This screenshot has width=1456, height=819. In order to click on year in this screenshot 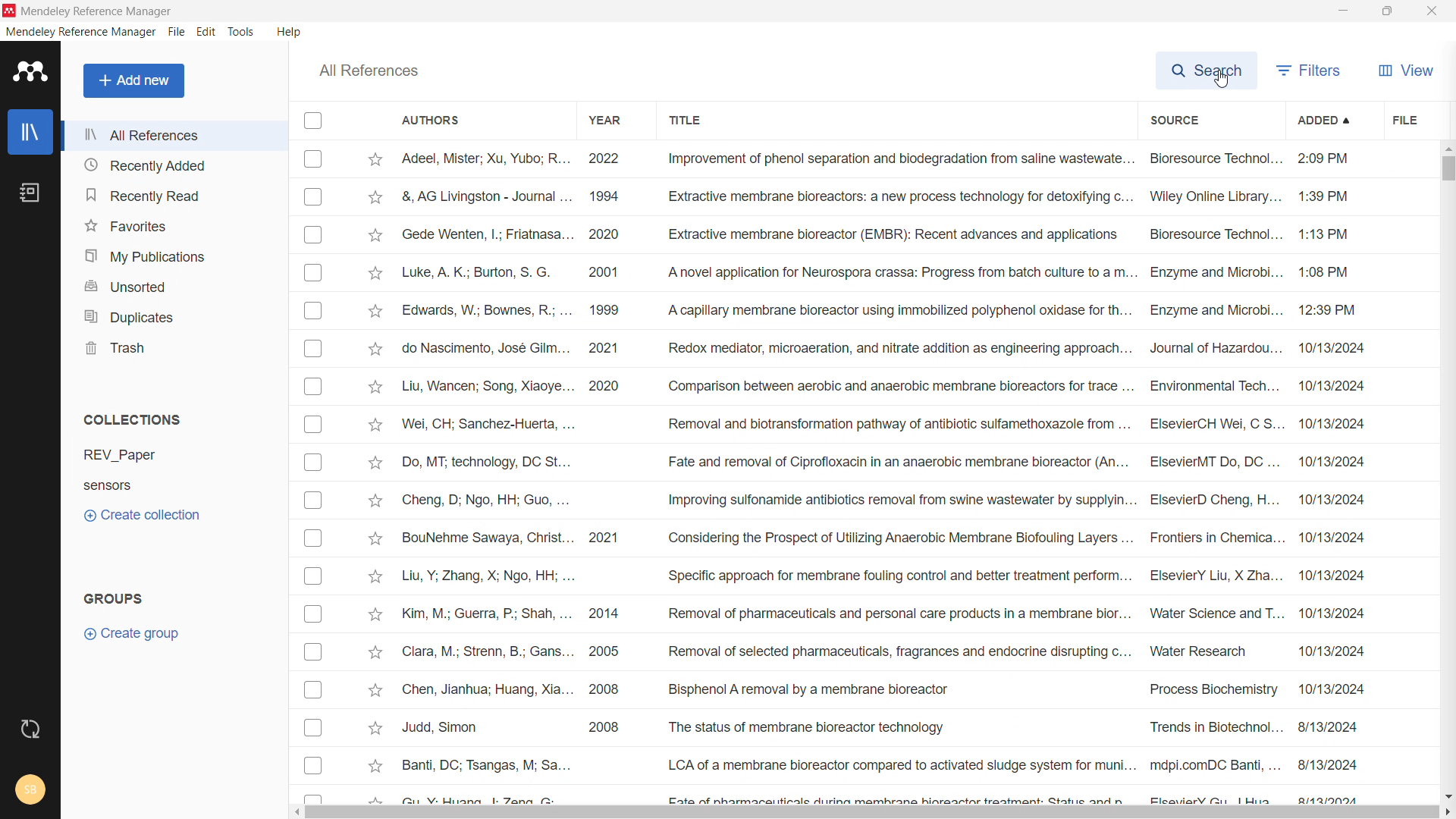, I will do `click(608, 120)`.